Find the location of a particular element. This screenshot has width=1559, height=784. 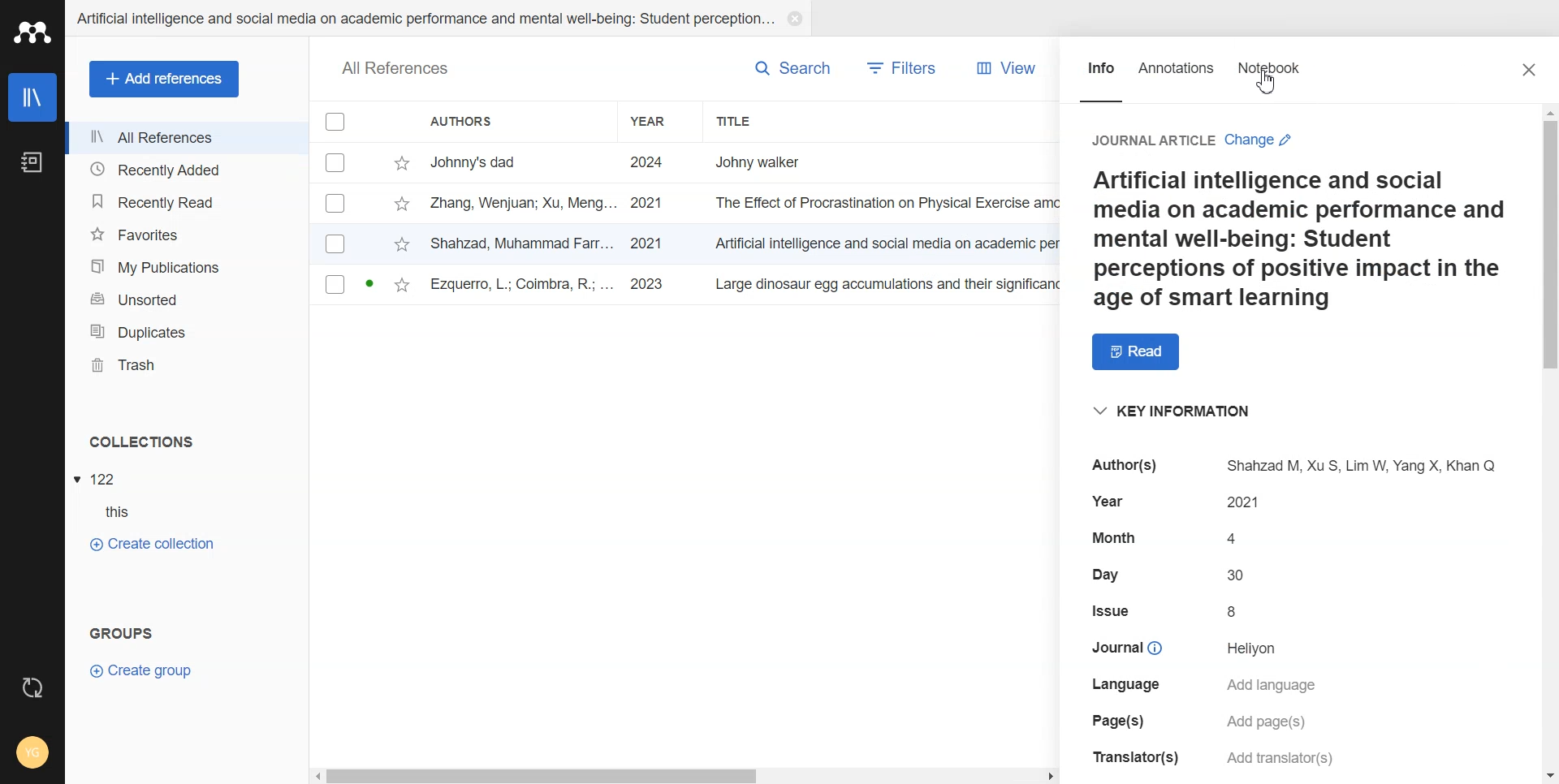

My Publication is located at coordinates (187, 267).